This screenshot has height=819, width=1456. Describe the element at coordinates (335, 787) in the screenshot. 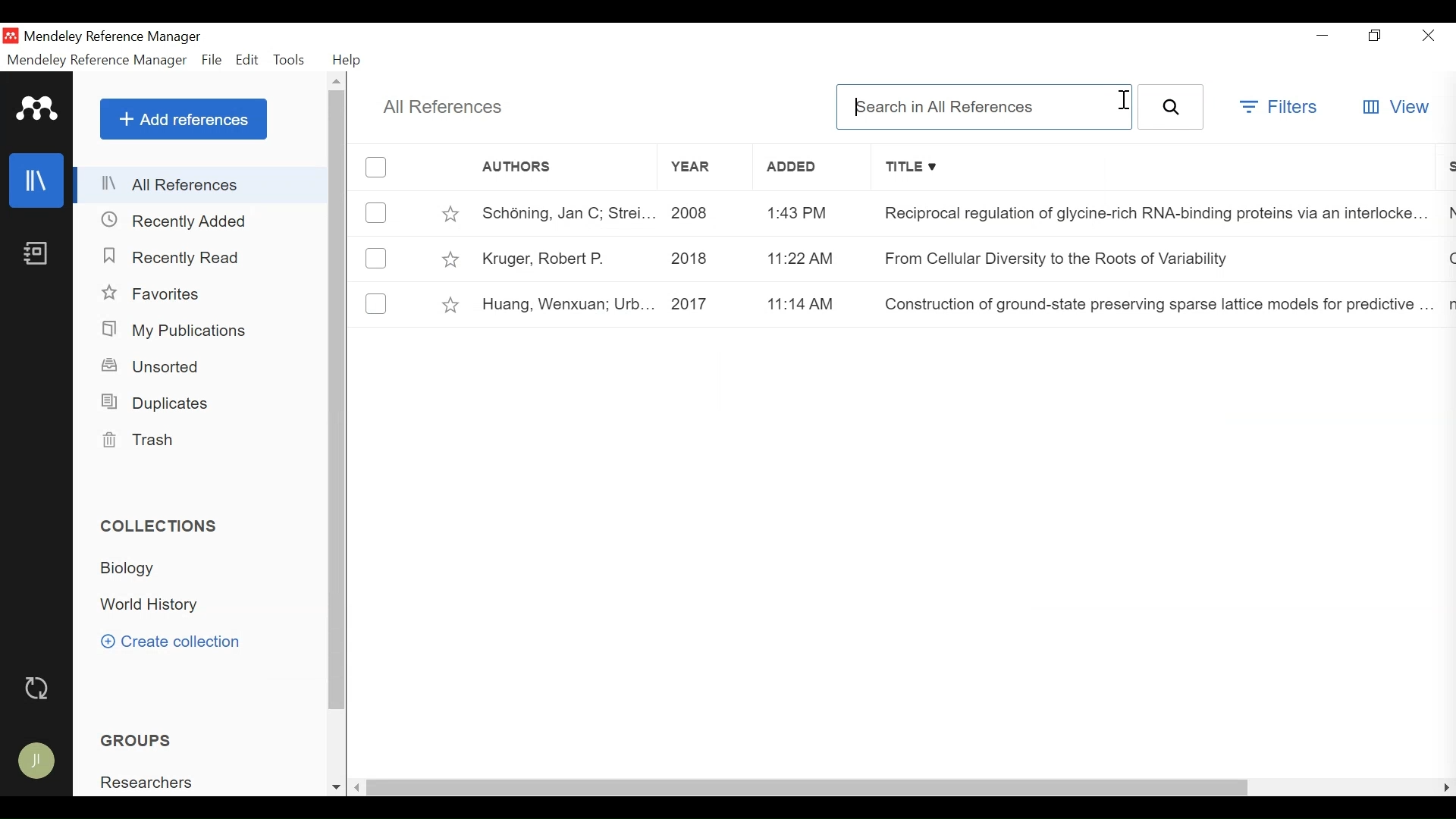

I see `Scroll down` at that location.